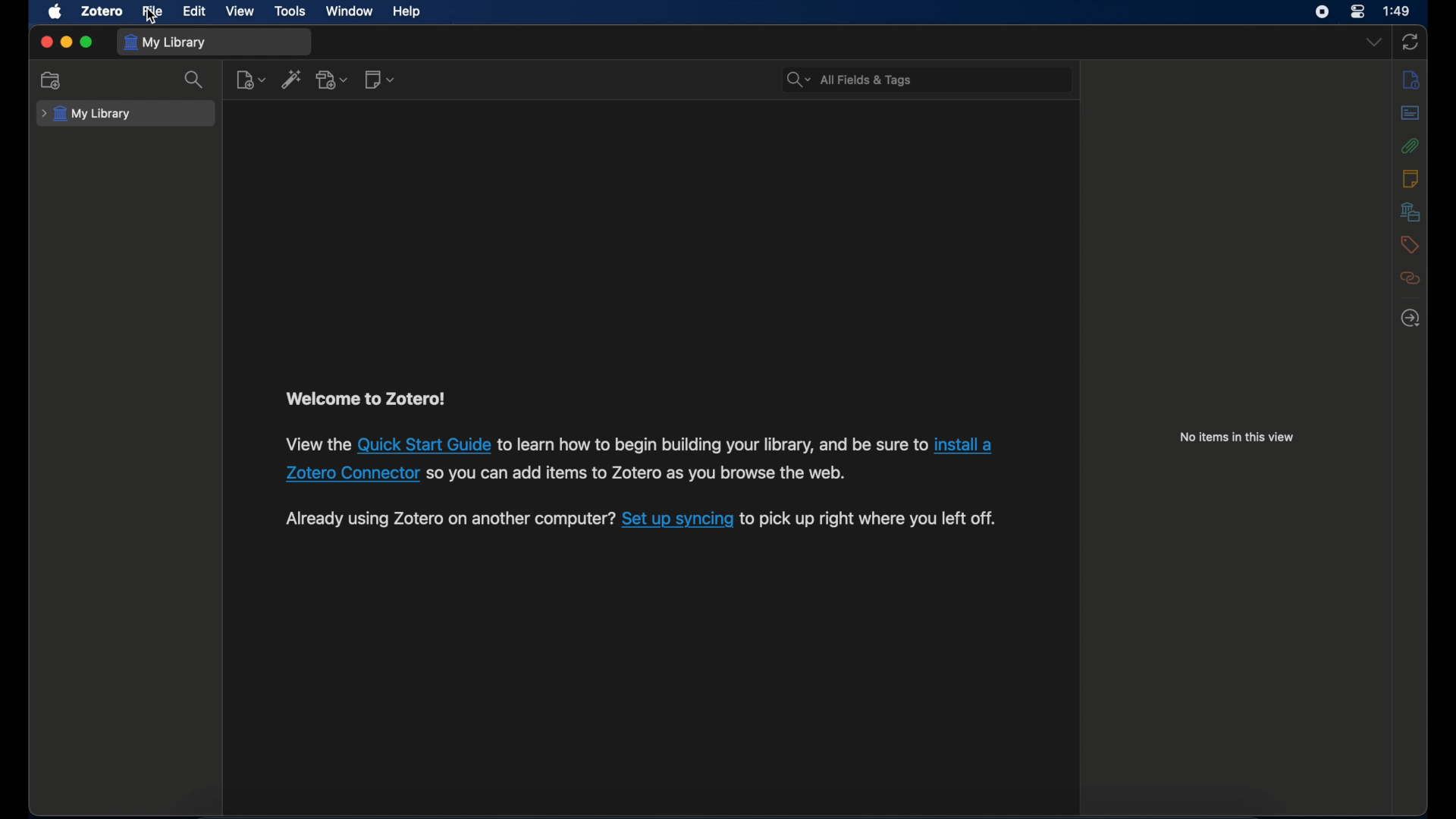  Describe the element at coordinates (925, 78) in the screenshot. I see `All Fields & Tags` at that location.